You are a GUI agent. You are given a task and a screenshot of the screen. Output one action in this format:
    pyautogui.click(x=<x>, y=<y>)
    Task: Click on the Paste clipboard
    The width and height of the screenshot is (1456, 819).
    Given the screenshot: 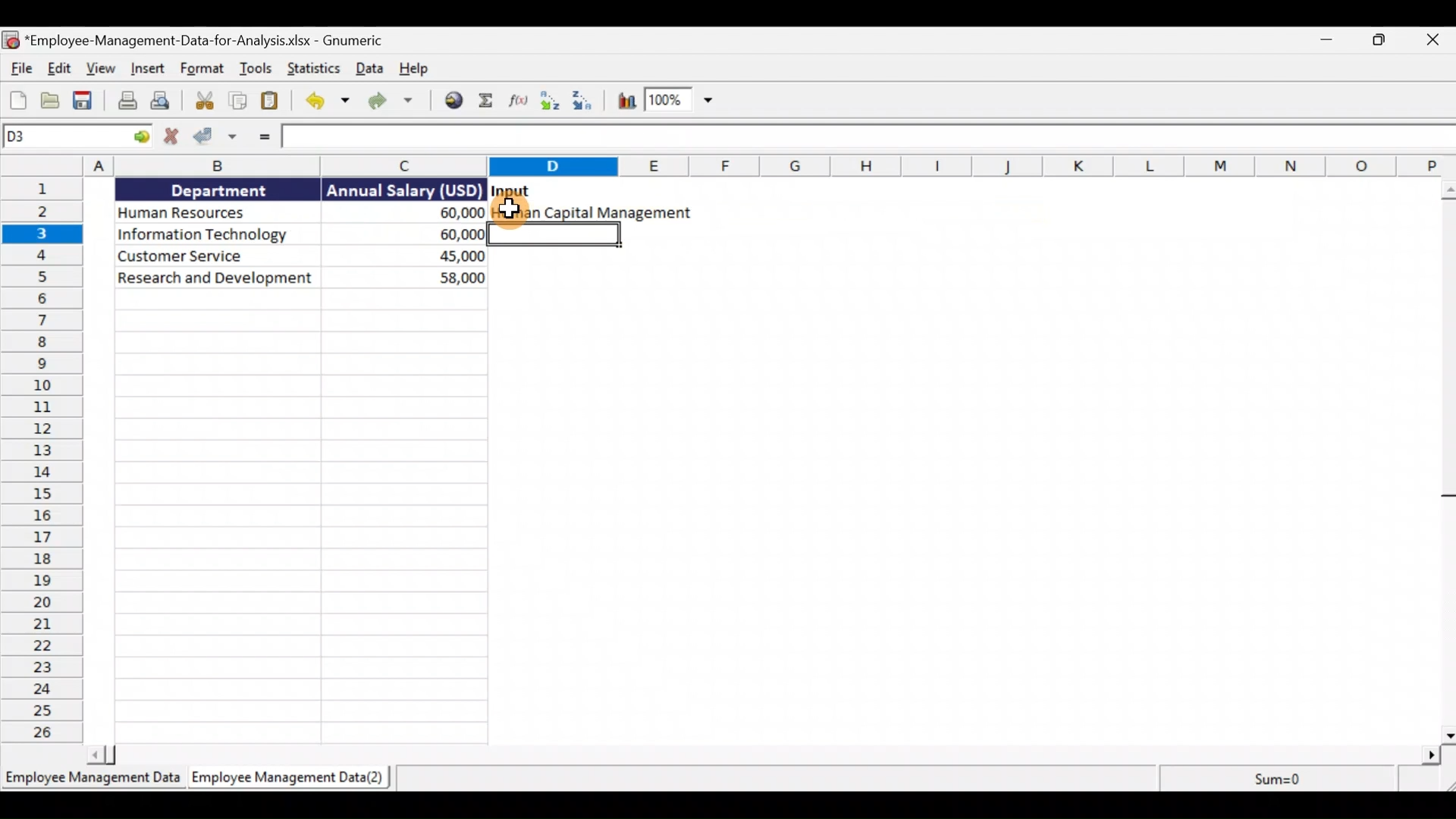 What is the action you would take?
    pyautogui.click(x=270, y=101)
    